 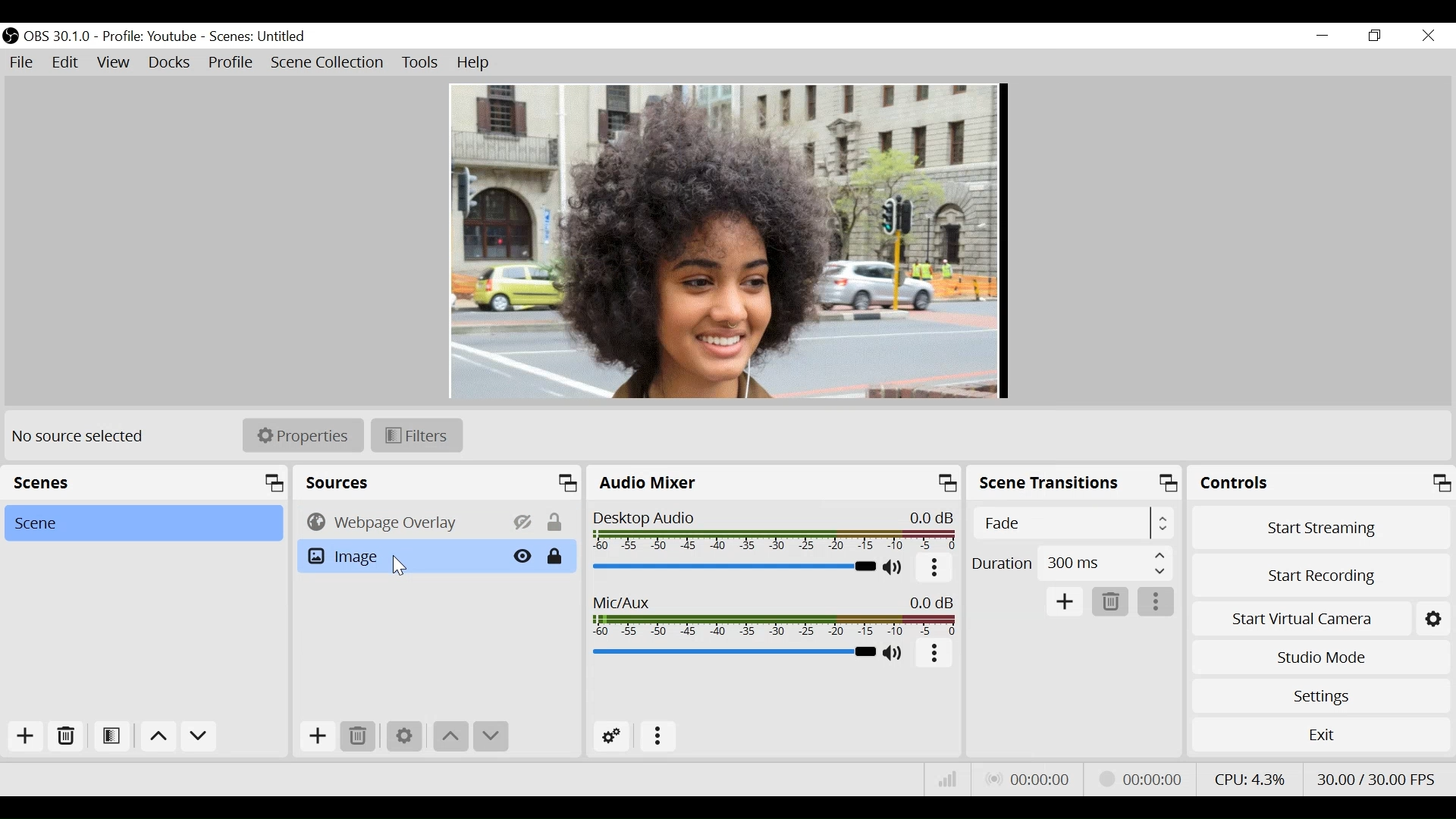 What do you see at coordinates (731, 566) in the screenshot?
I see `Desktop Audio Slider` at bounding box center [731, 566].